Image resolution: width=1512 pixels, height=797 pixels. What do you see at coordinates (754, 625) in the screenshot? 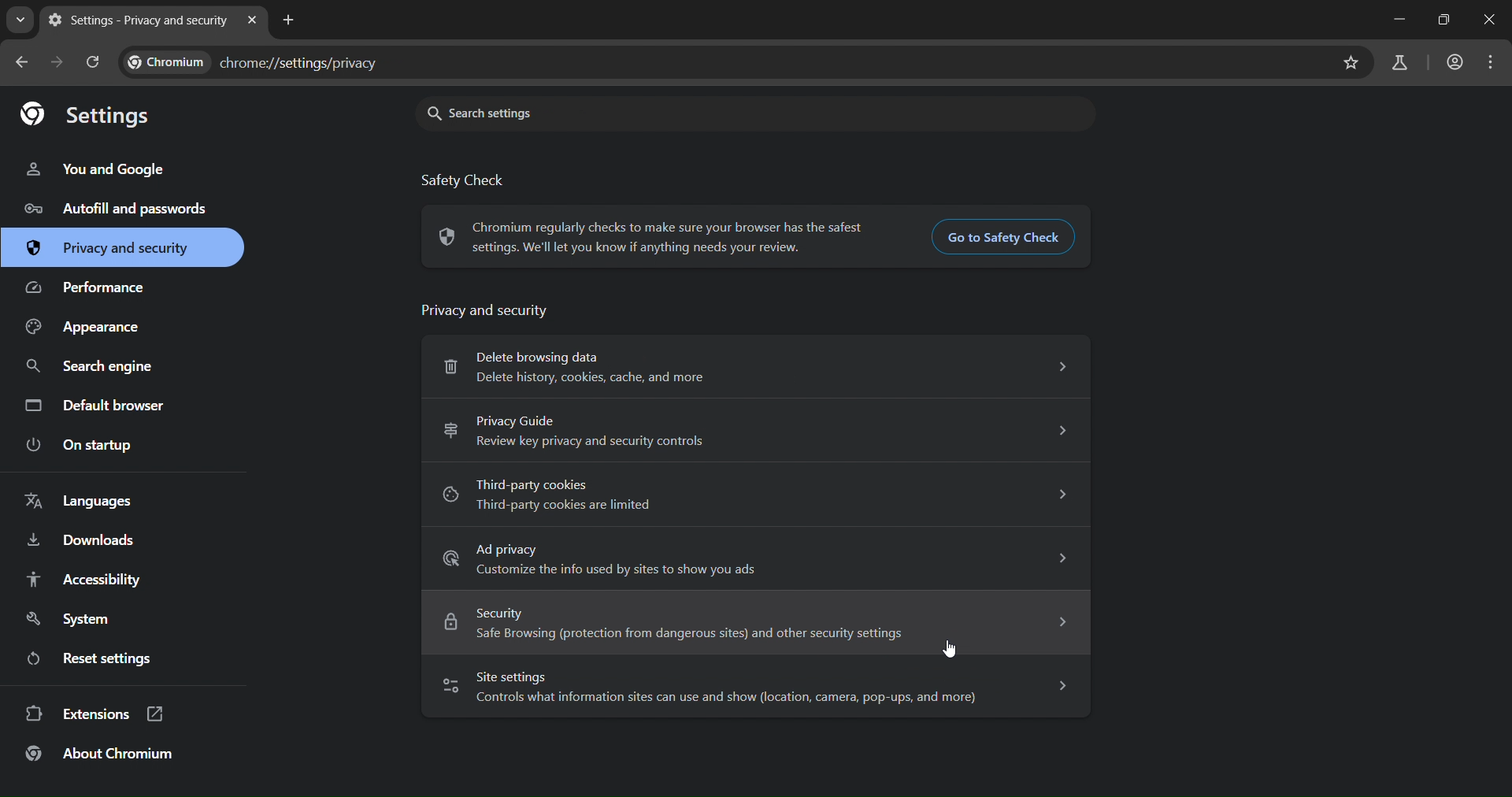
I see `Security
Safe Browsing (protection from dangerous sites) and other security settings` at bounding box center [754, 625].